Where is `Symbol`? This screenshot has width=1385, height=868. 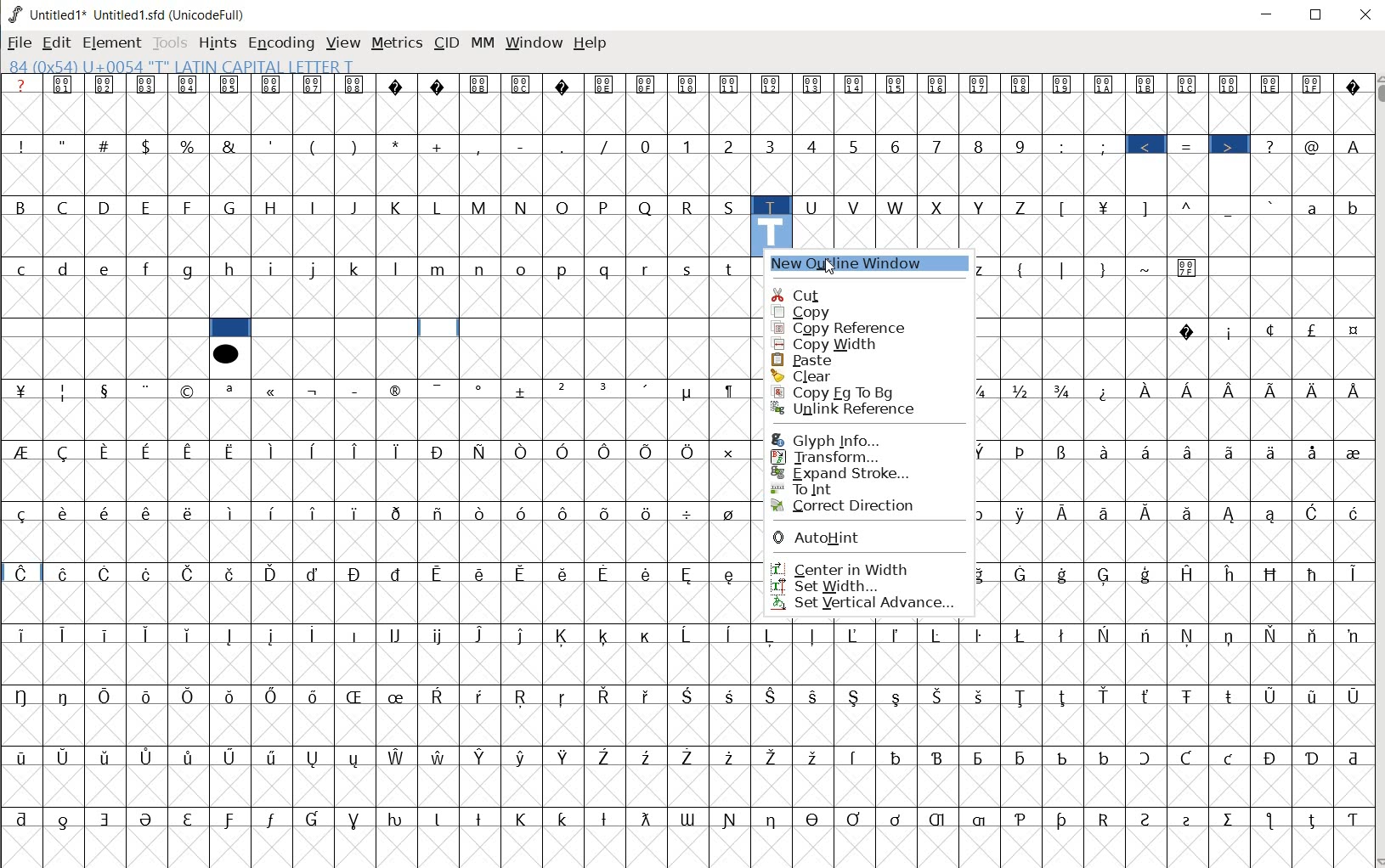 Symbol is located at coordinates (856, 756).